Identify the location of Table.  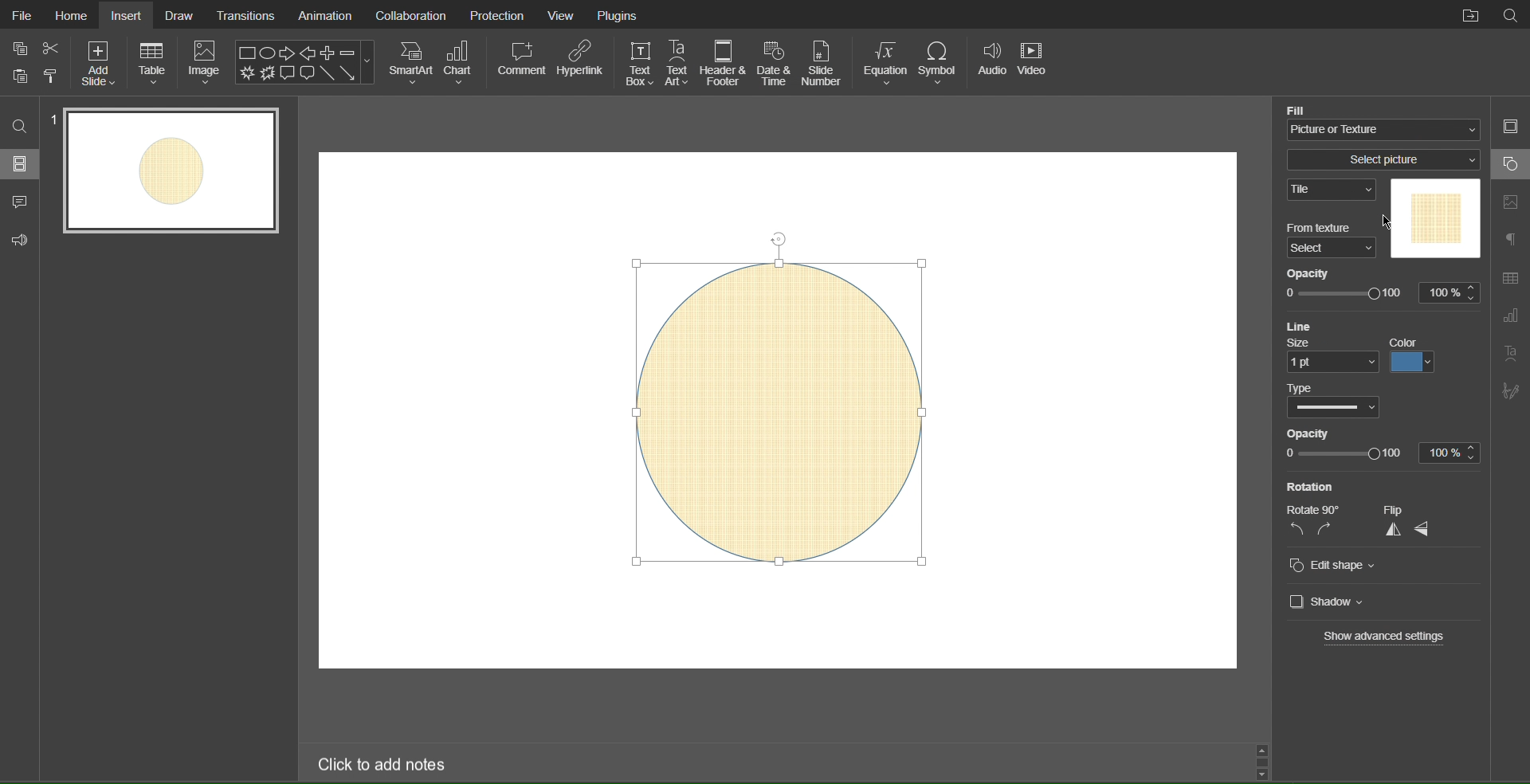
(154, 63).